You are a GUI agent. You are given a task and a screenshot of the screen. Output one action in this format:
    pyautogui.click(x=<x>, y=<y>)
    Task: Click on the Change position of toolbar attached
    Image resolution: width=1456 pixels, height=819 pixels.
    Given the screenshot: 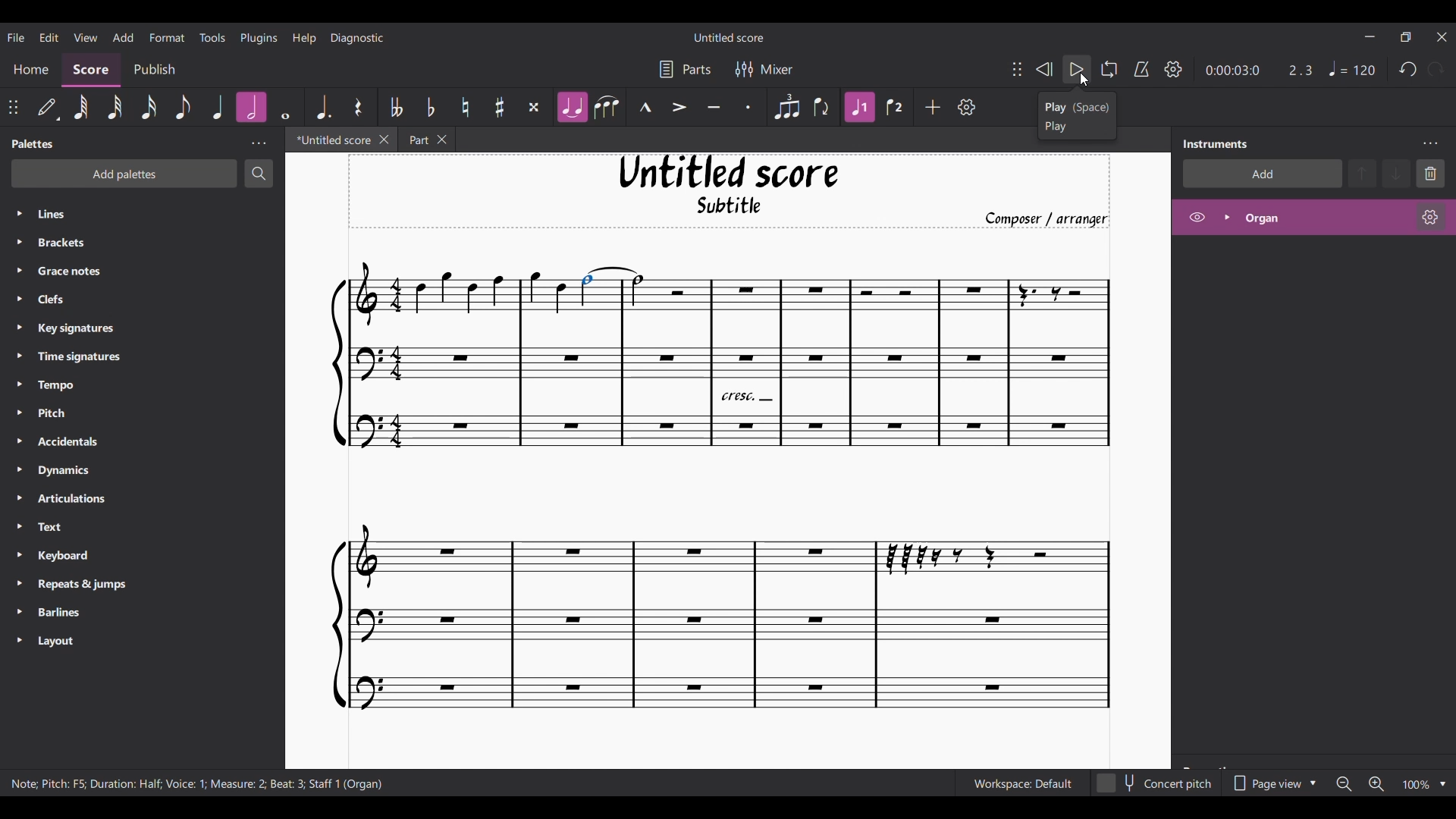 What is the action you would take?
    pyautogui.click(x=13, y=107)
    